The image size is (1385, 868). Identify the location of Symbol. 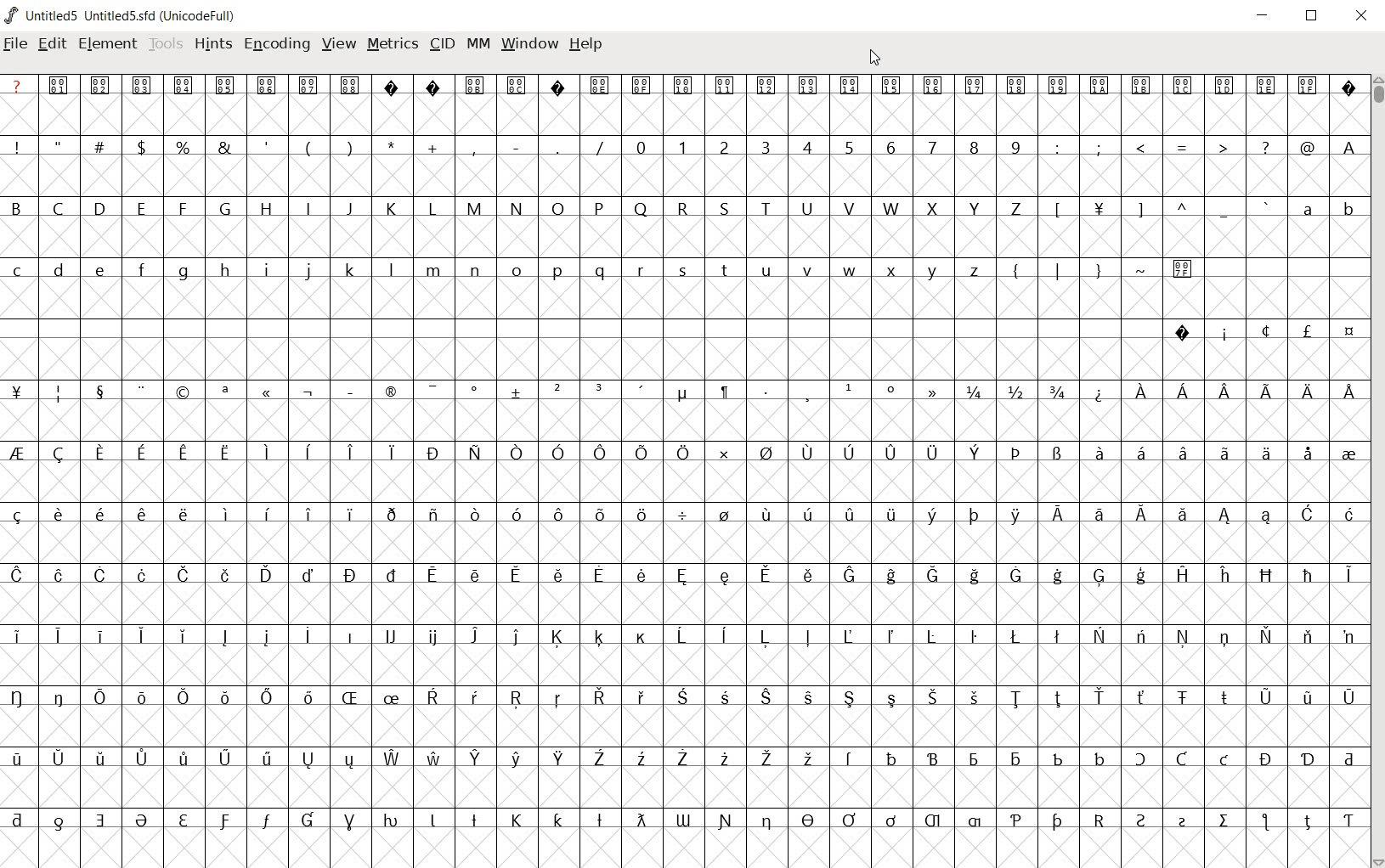
(557, 454).